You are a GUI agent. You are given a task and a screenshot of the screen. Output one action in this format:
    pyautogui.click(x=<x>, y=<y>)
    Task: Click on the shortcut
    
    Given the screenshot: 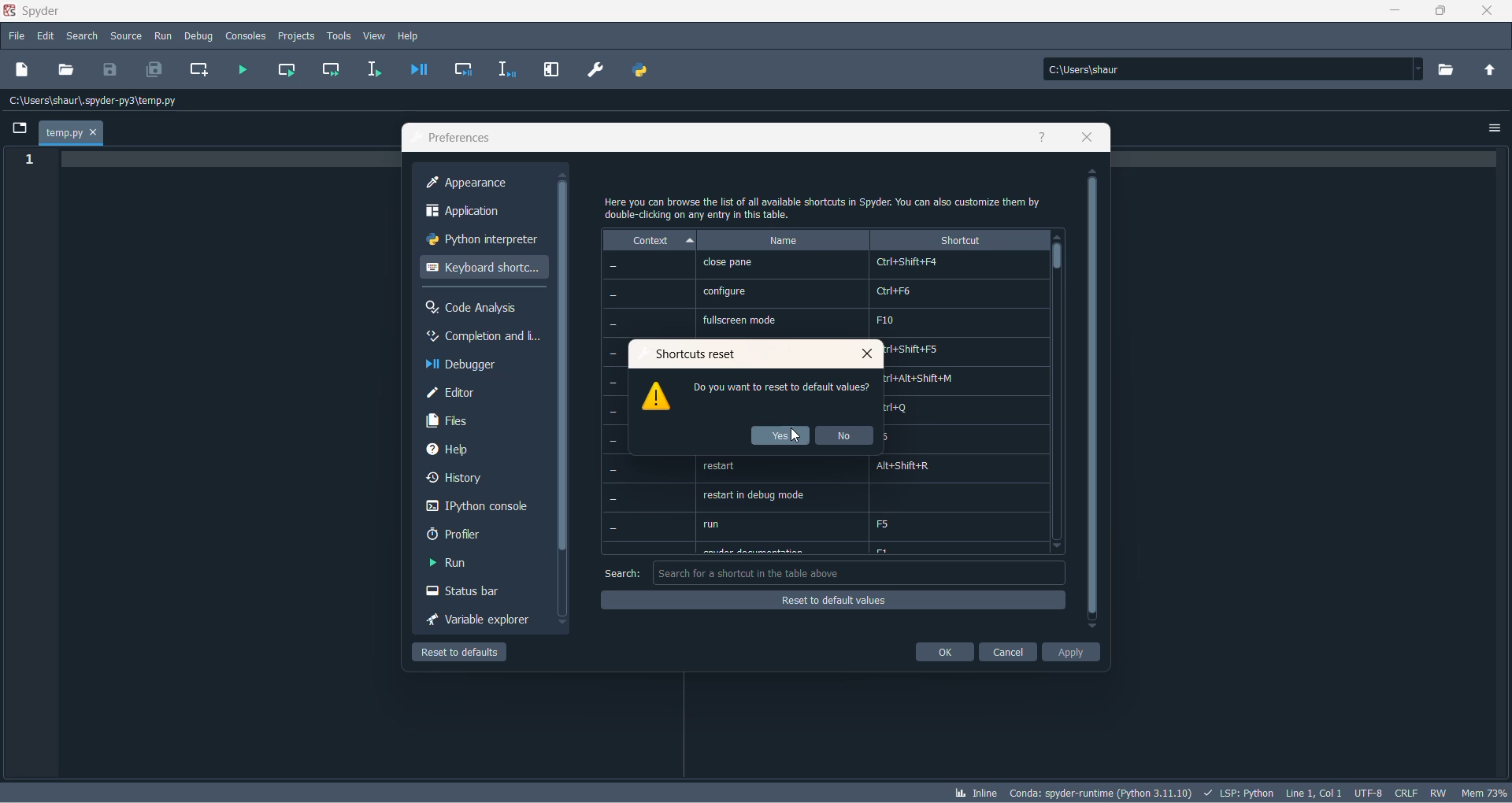 What is the action you would take?
    pyautogui.click(x=961, y=239)
    